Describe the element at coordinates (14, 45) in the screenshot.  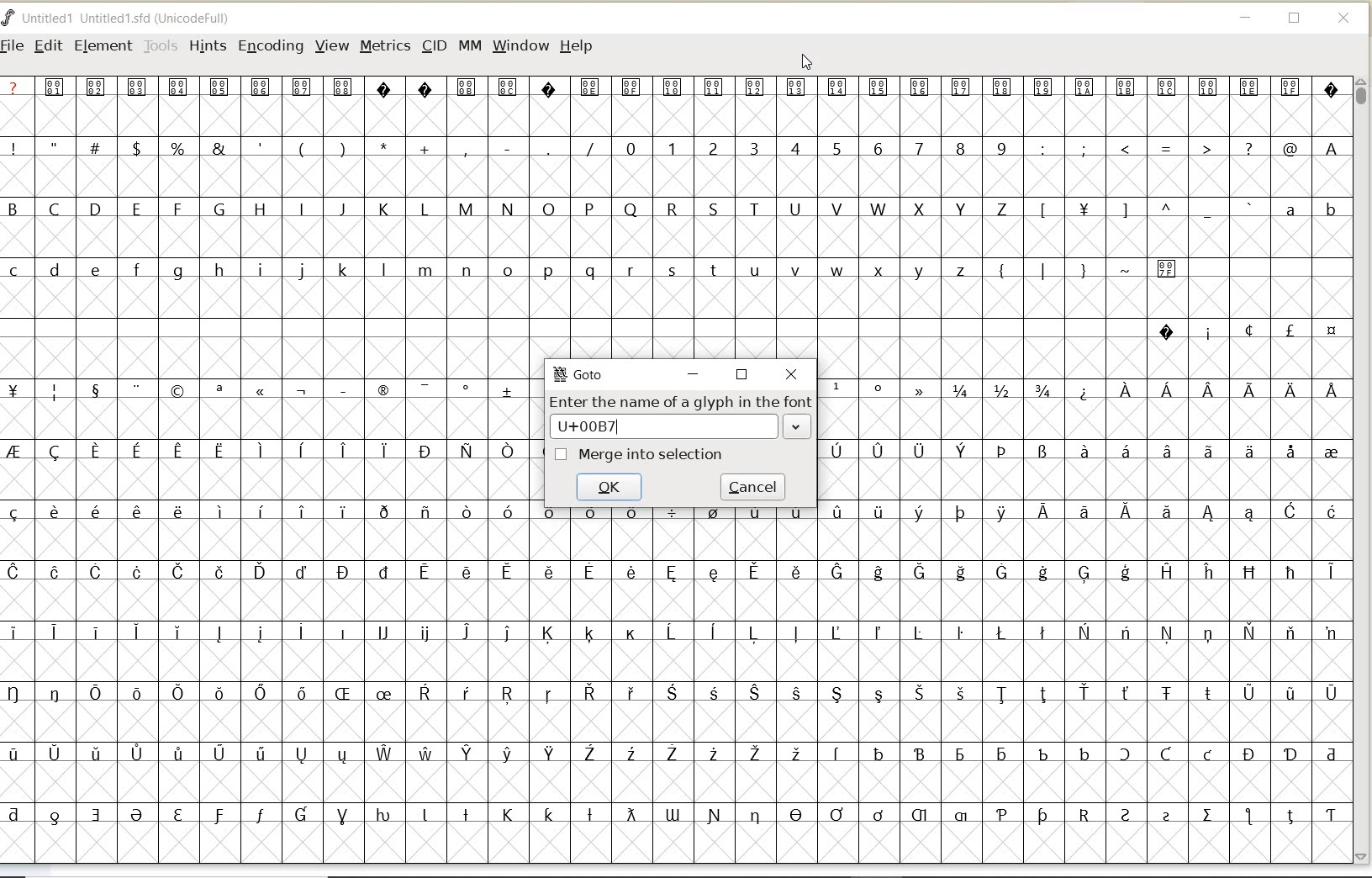
I see `FILE` at that location.